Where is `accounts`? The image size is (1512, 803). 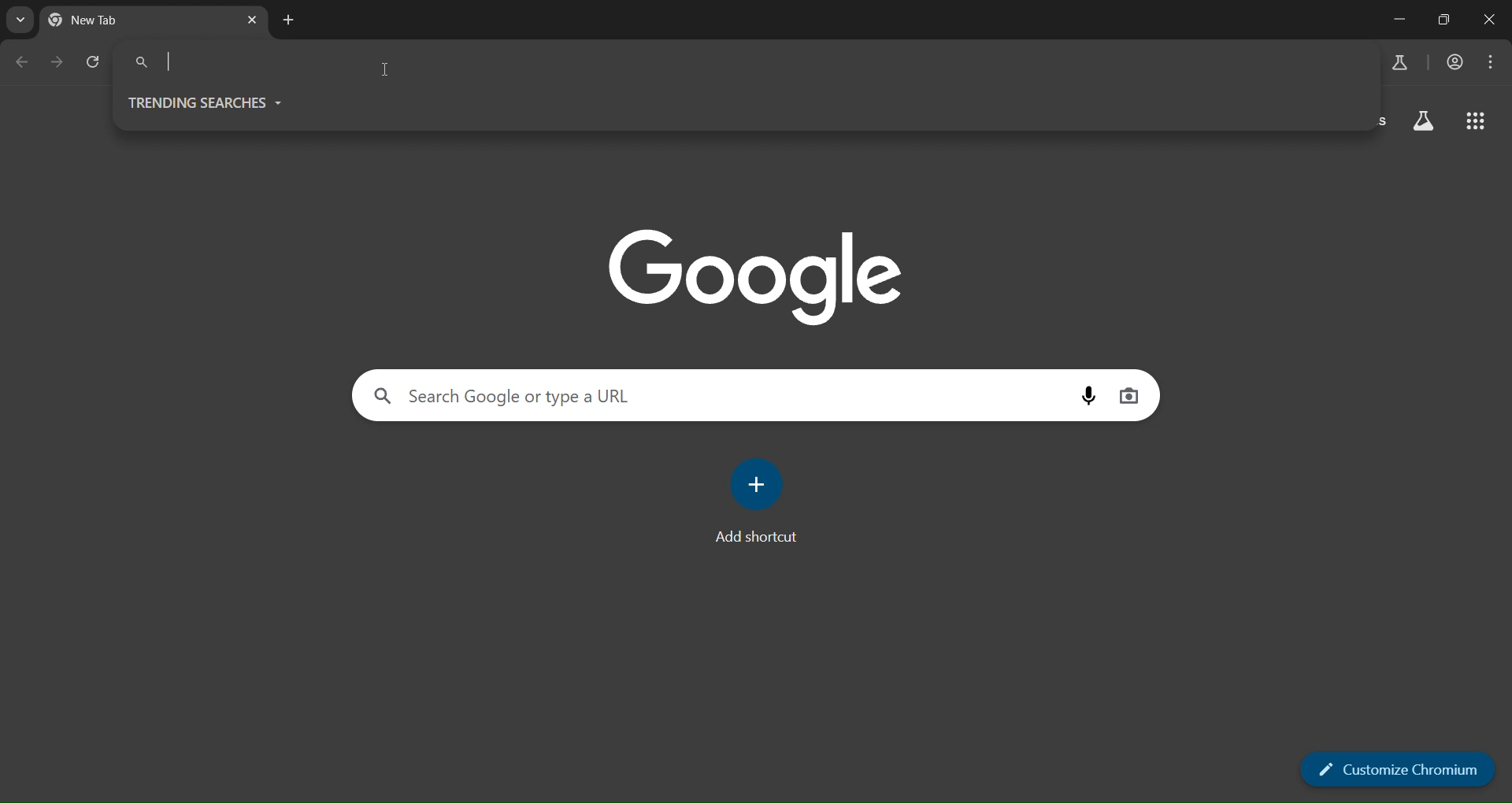 accounts is located at coordinates (1456, 61).